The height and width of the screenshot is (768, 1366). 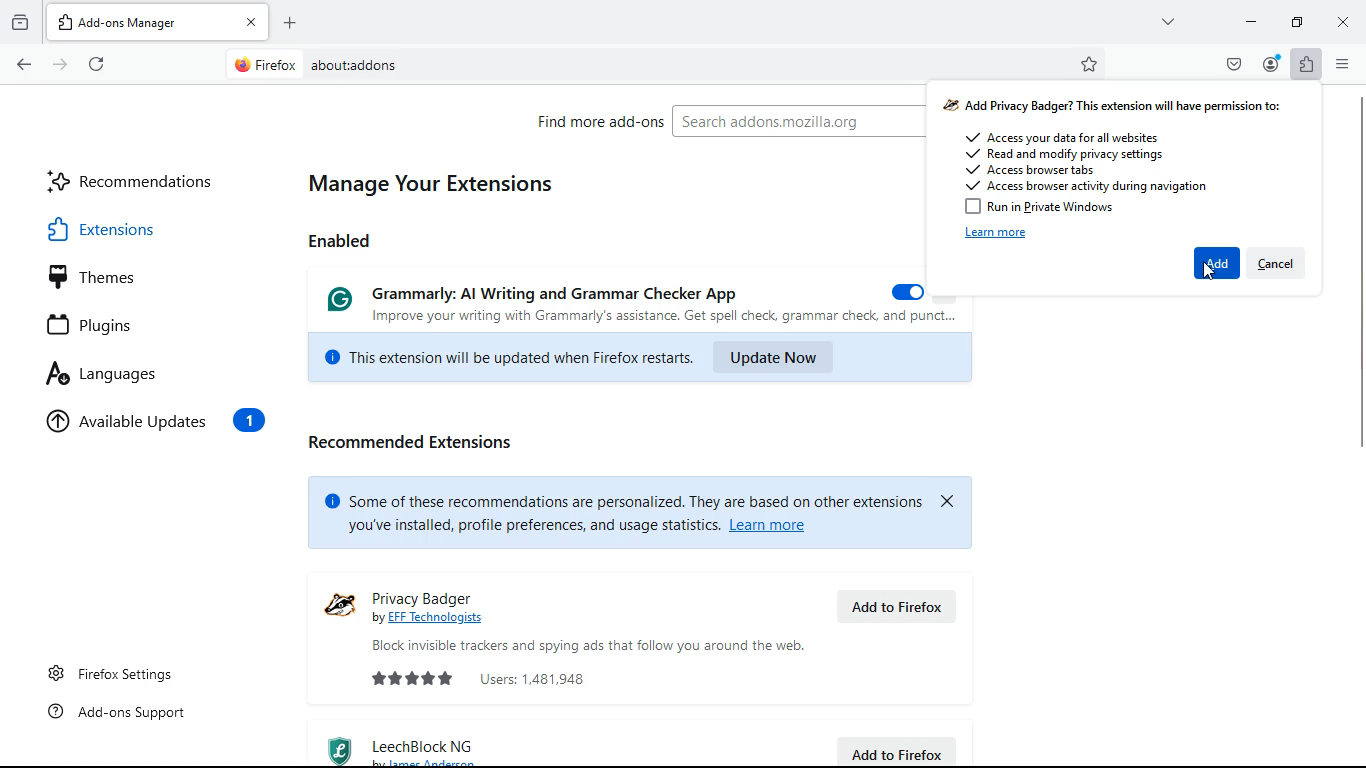 What do you see at coordinates (155, 423) in the screenshot?
I see `available updates` at bounding box center [155, 423].